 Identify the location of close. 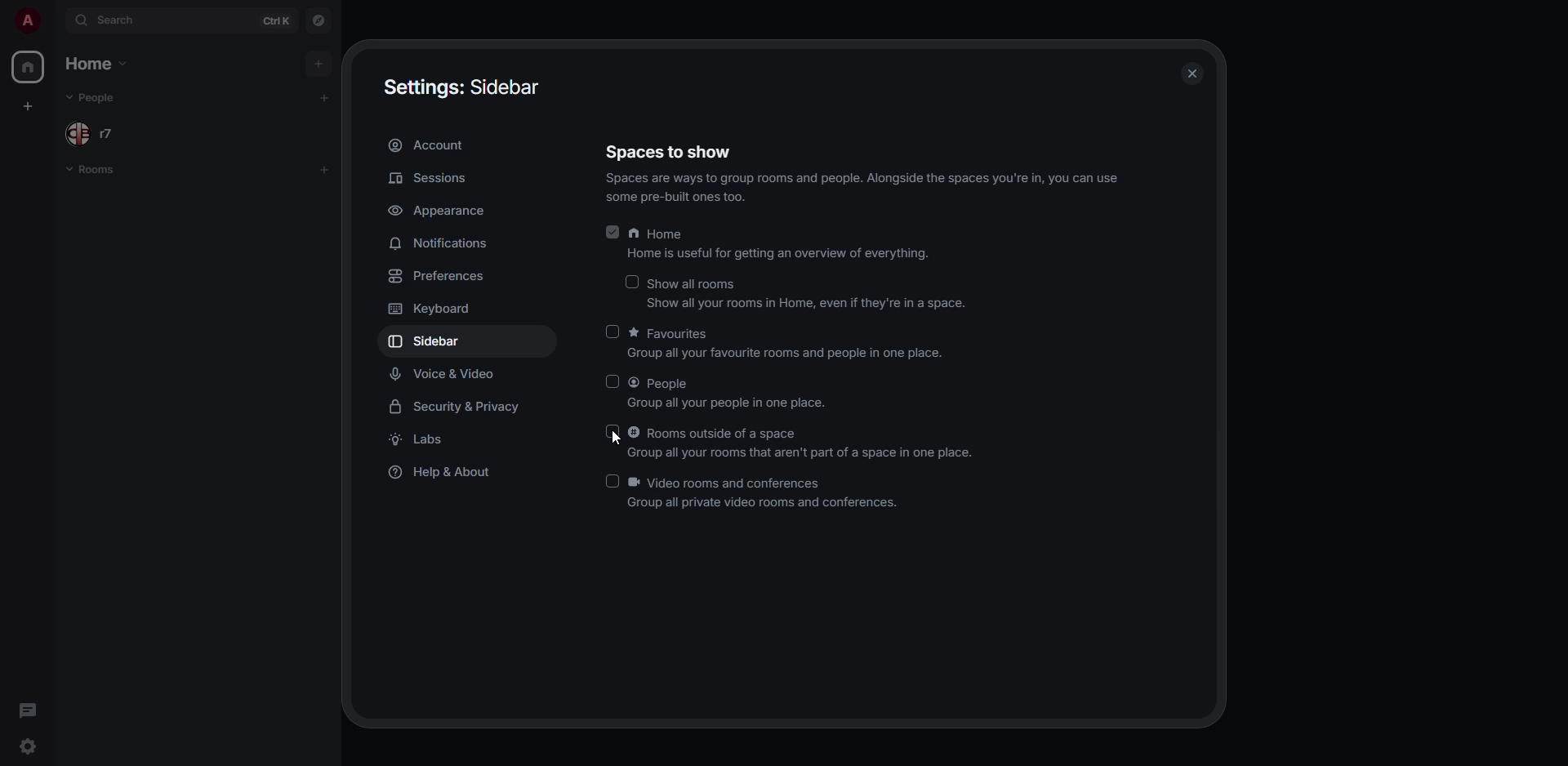
(1192, 73).